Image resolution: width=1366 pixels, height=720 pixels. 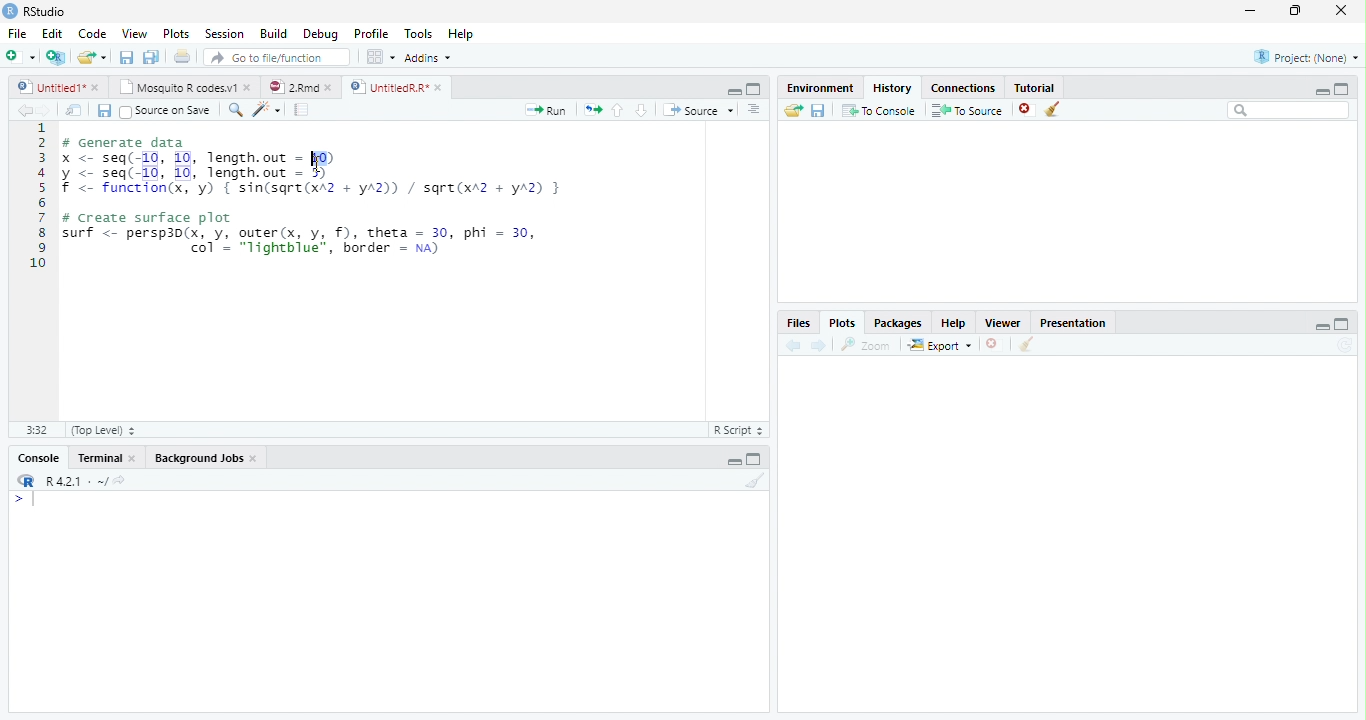 I want to click on Clear all history entries, so click(x=1052, y=109).